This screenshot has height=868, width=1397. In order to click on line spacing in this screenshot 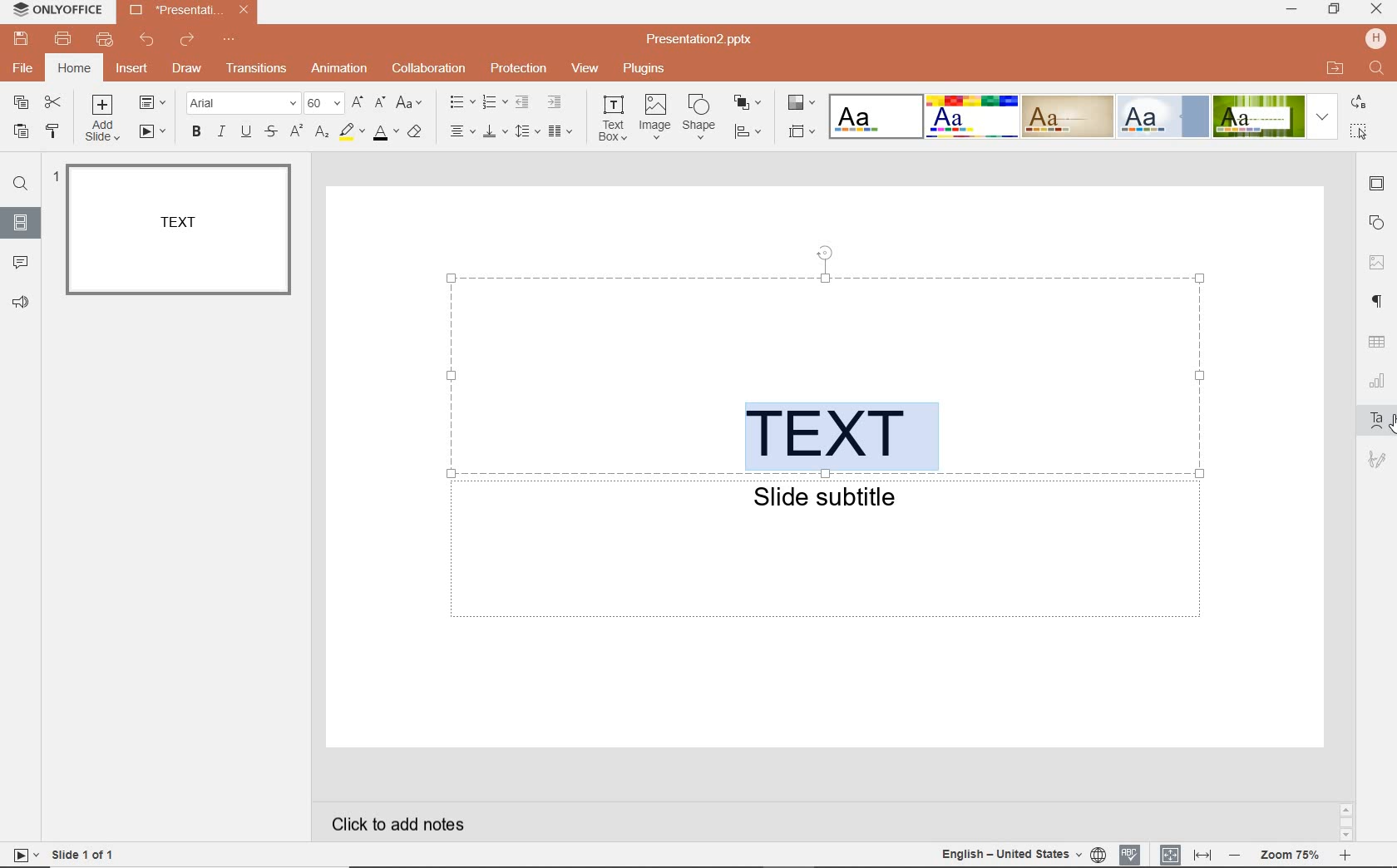, I will do `click(527, 131)`.